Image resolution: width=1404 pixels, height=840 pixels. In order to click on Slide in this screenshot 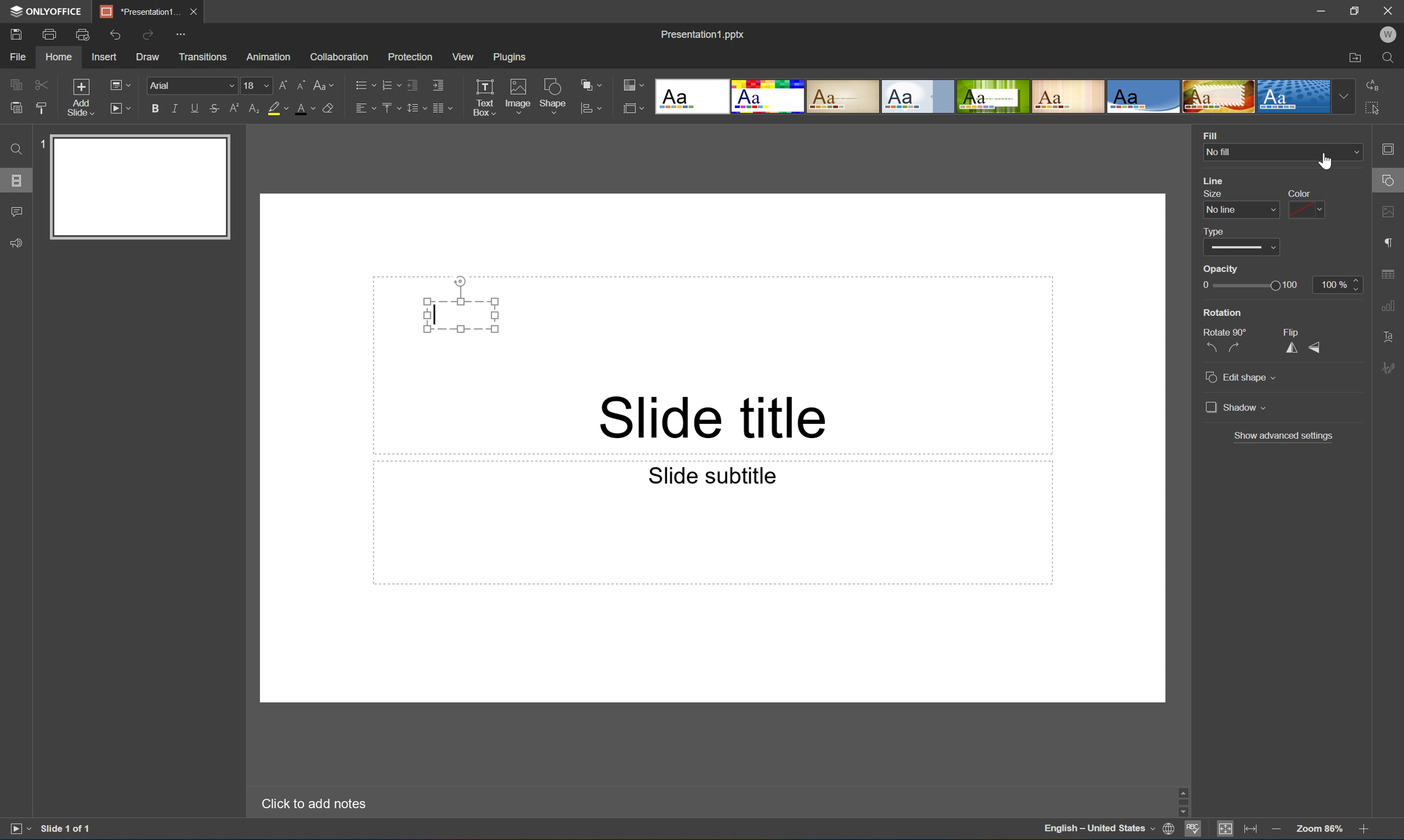, I will do `click(142, 187)`.